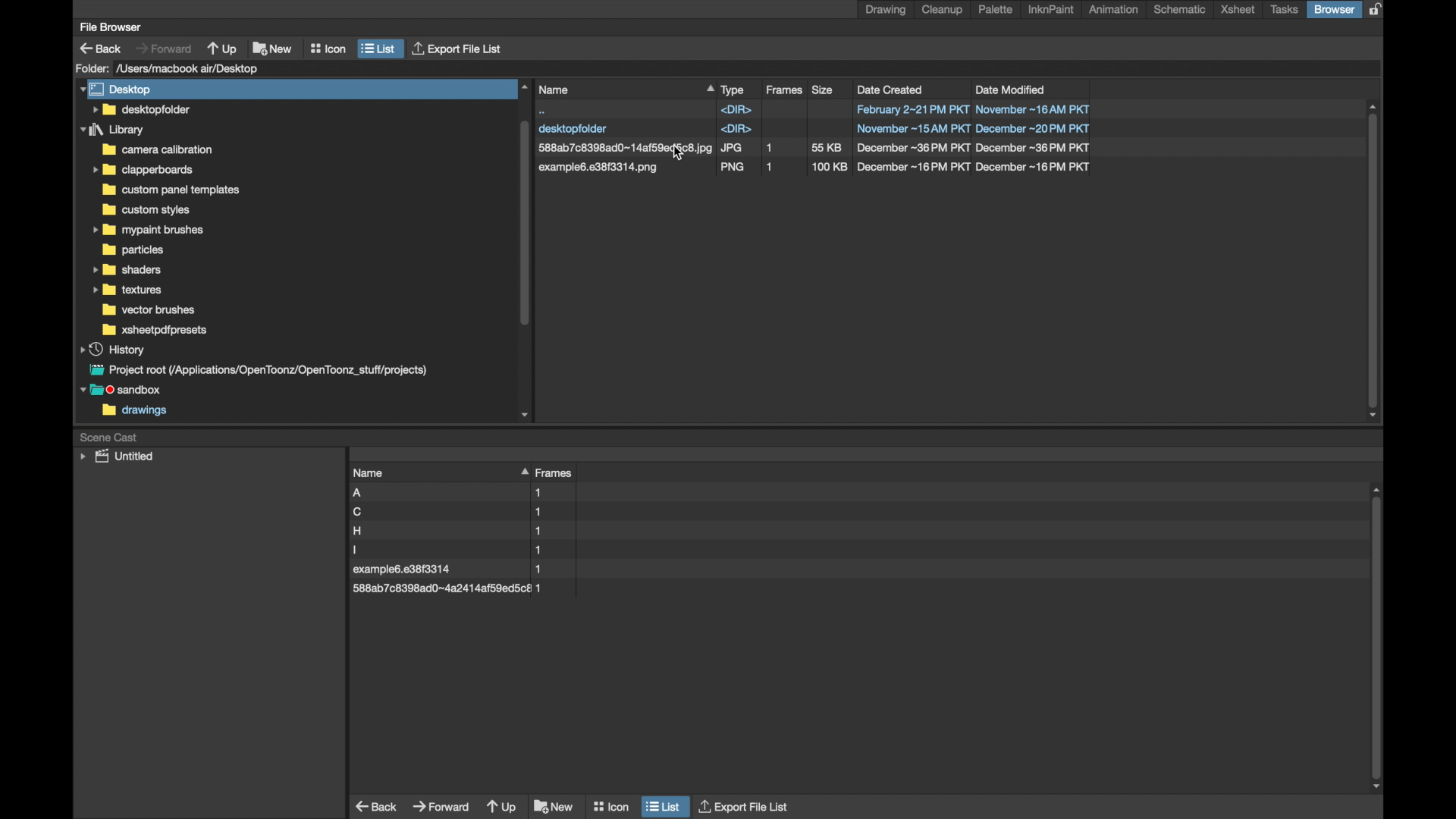 The width and height of the screenshot is (1456, 819). I want to click on up, so click(223, 48).